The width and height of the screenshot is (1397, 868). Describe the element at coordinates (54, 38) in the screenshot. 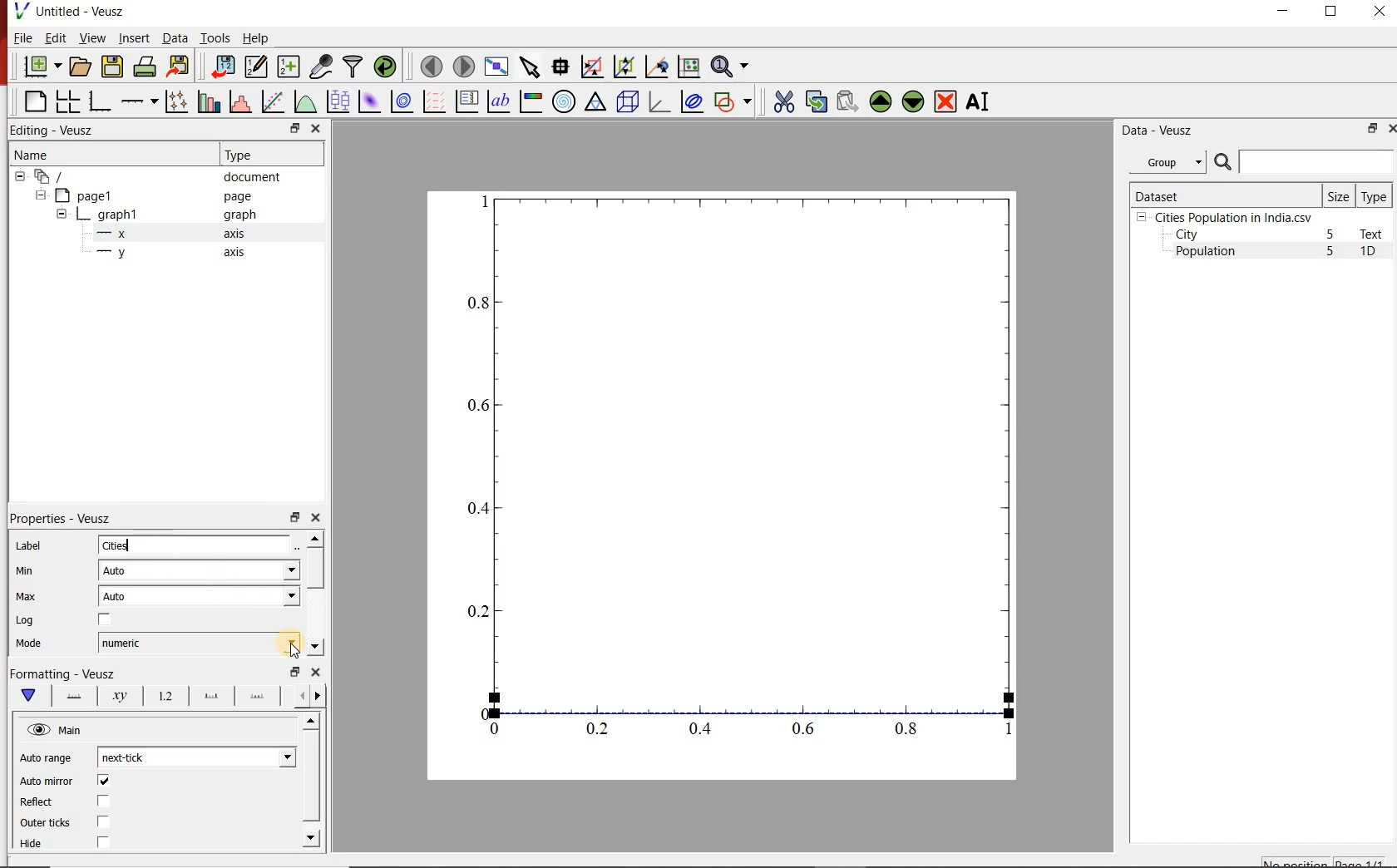

I see `Edit` at that location.